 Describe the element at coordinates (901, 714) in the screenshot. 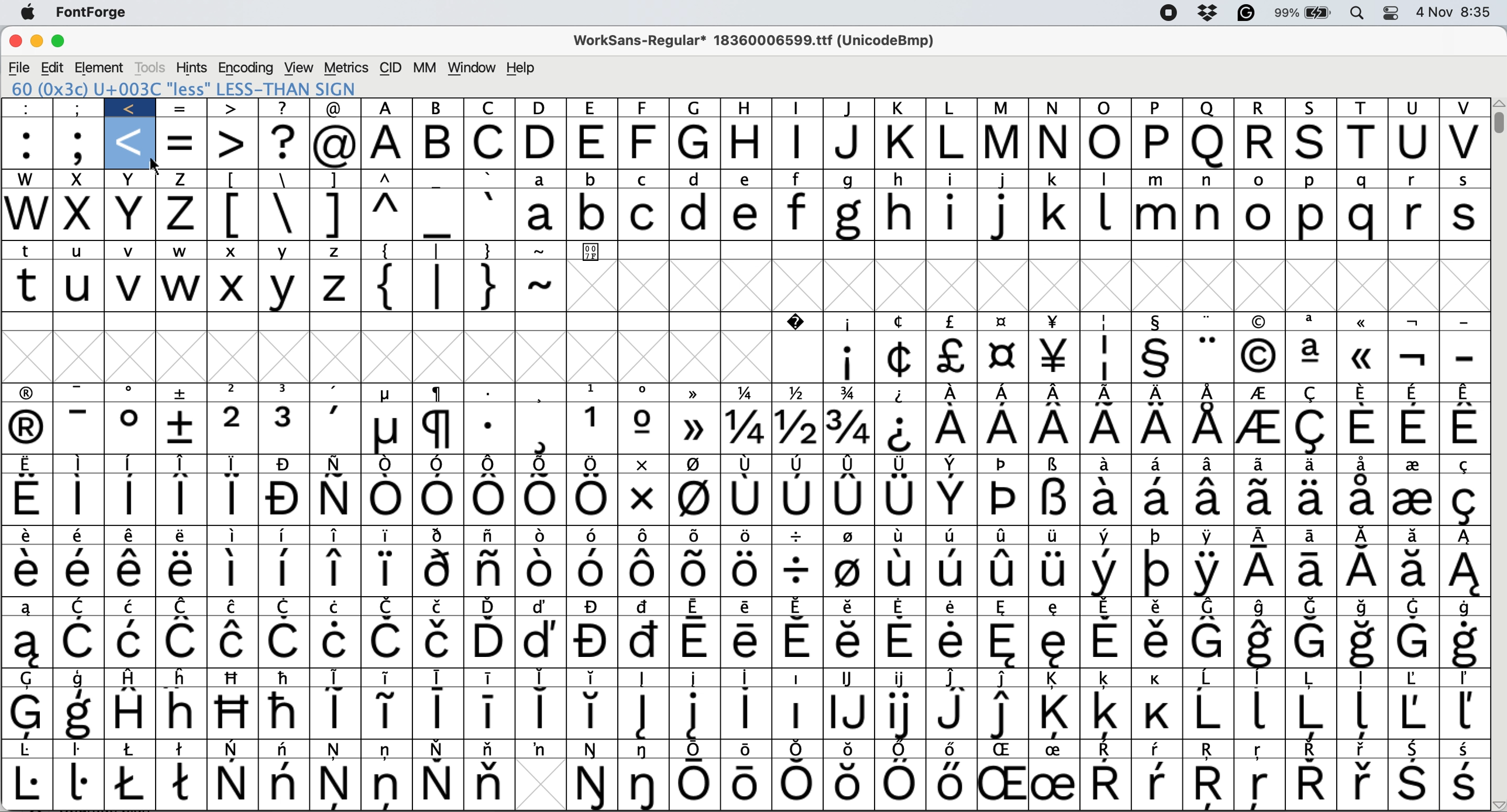

I see `Symbol` at that location.